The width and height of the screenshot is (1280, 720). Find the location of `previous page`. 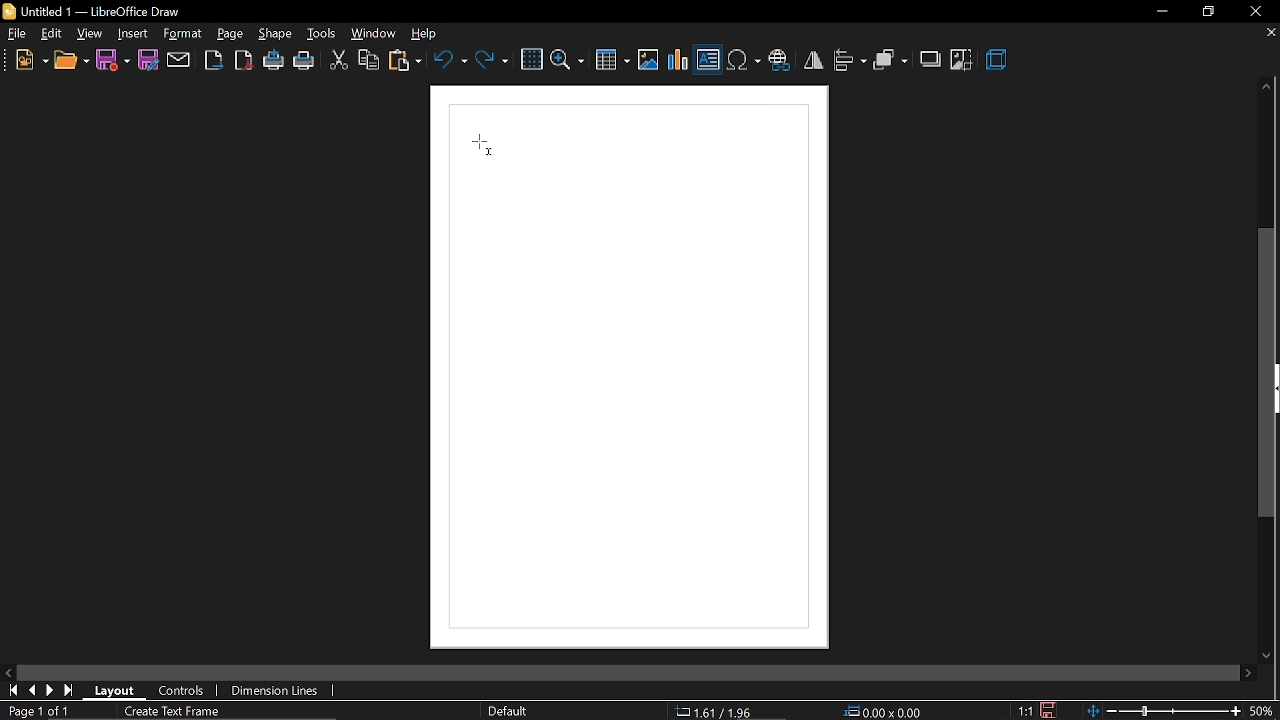

previous page is located at coordinates (35, 692).